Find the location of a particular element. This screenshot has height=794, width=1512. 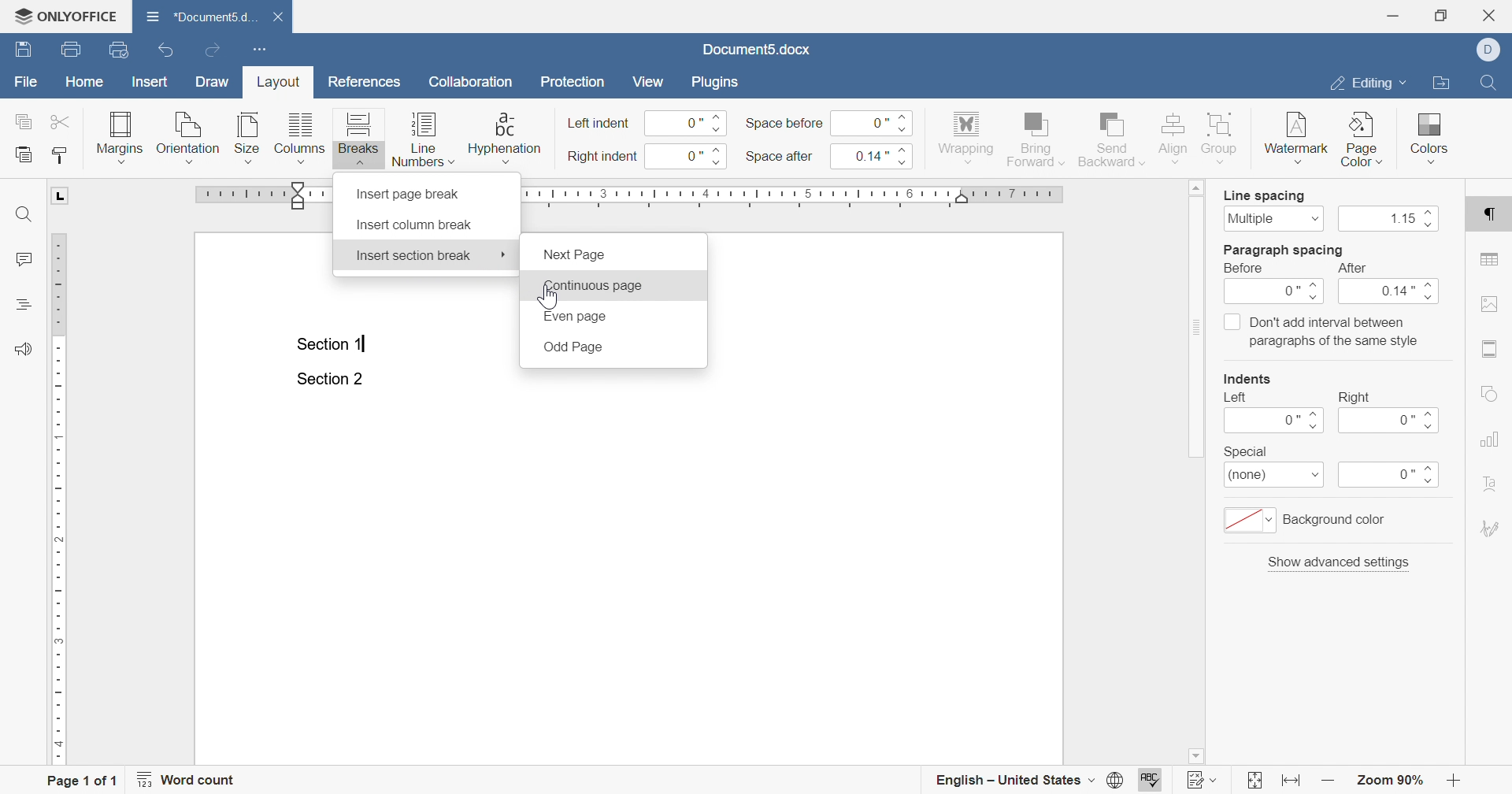

breaks is located at coordinates (359, 138).